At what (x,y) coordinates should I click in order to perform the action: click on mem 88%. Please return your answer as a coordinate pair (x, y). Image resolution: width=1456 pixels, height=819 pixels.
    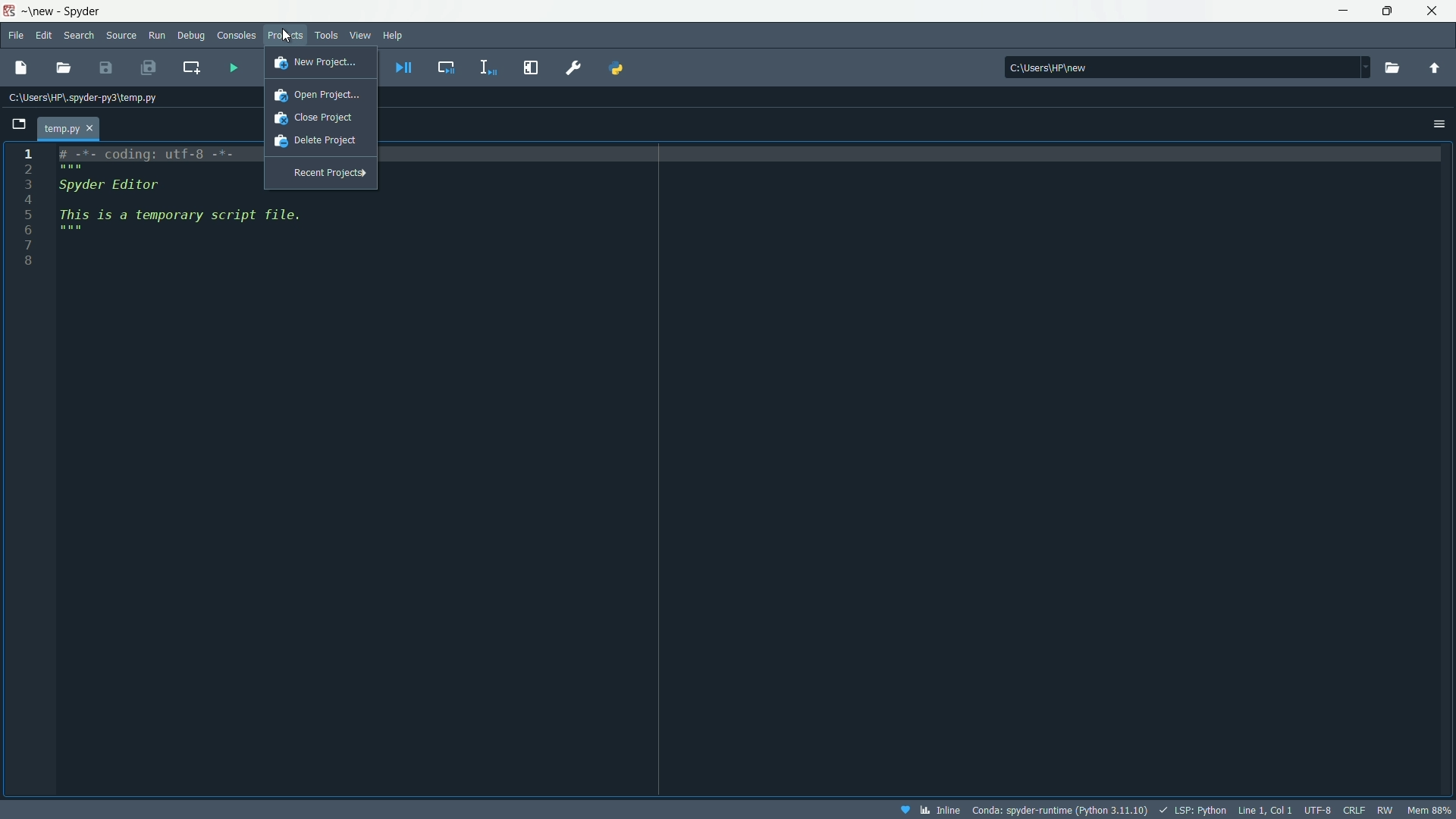
    Looking at the image, I should click on (1431, 809).